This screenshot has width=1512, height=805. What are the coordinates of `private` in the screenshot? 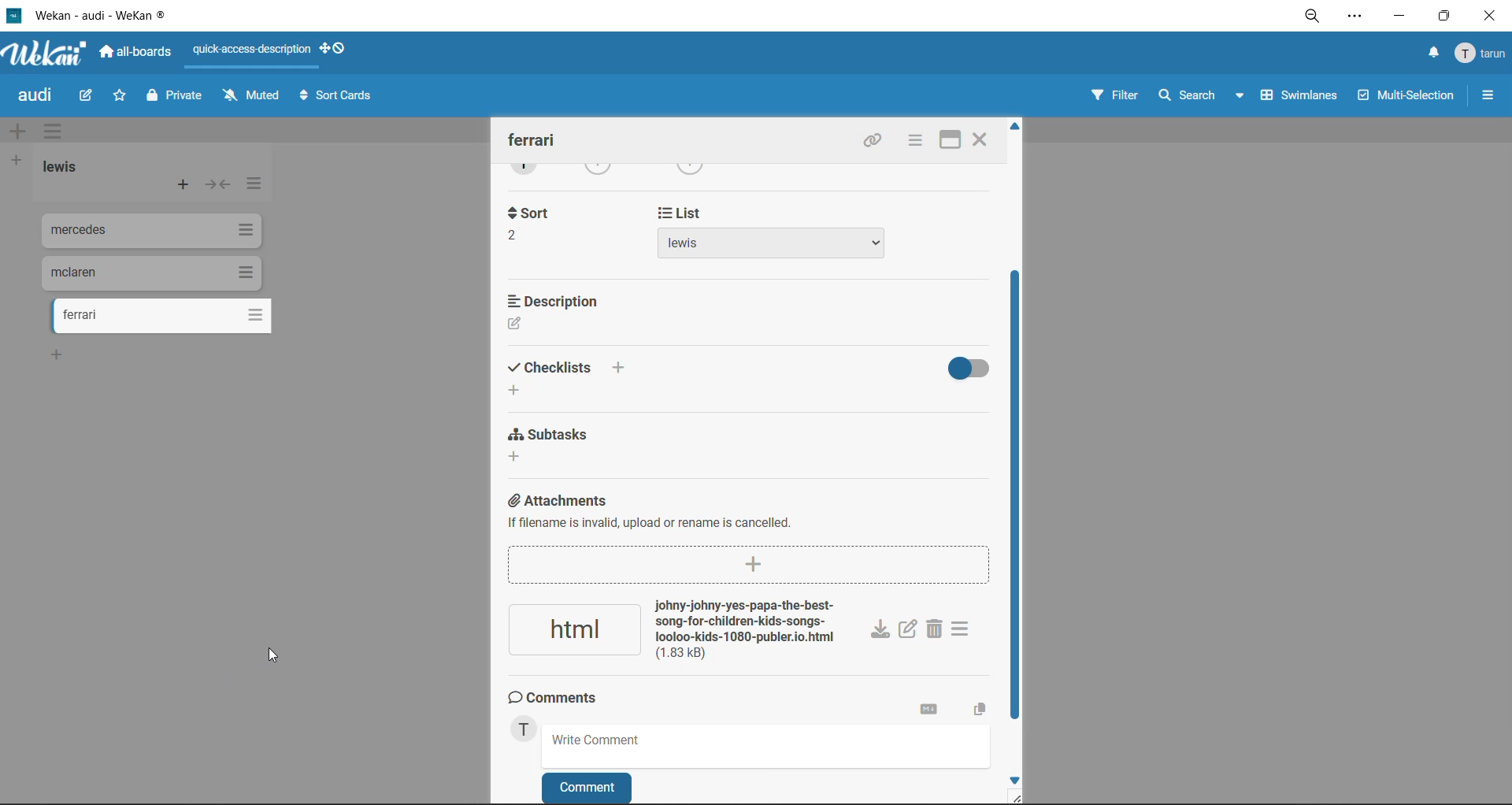 It's located at (177, 99).